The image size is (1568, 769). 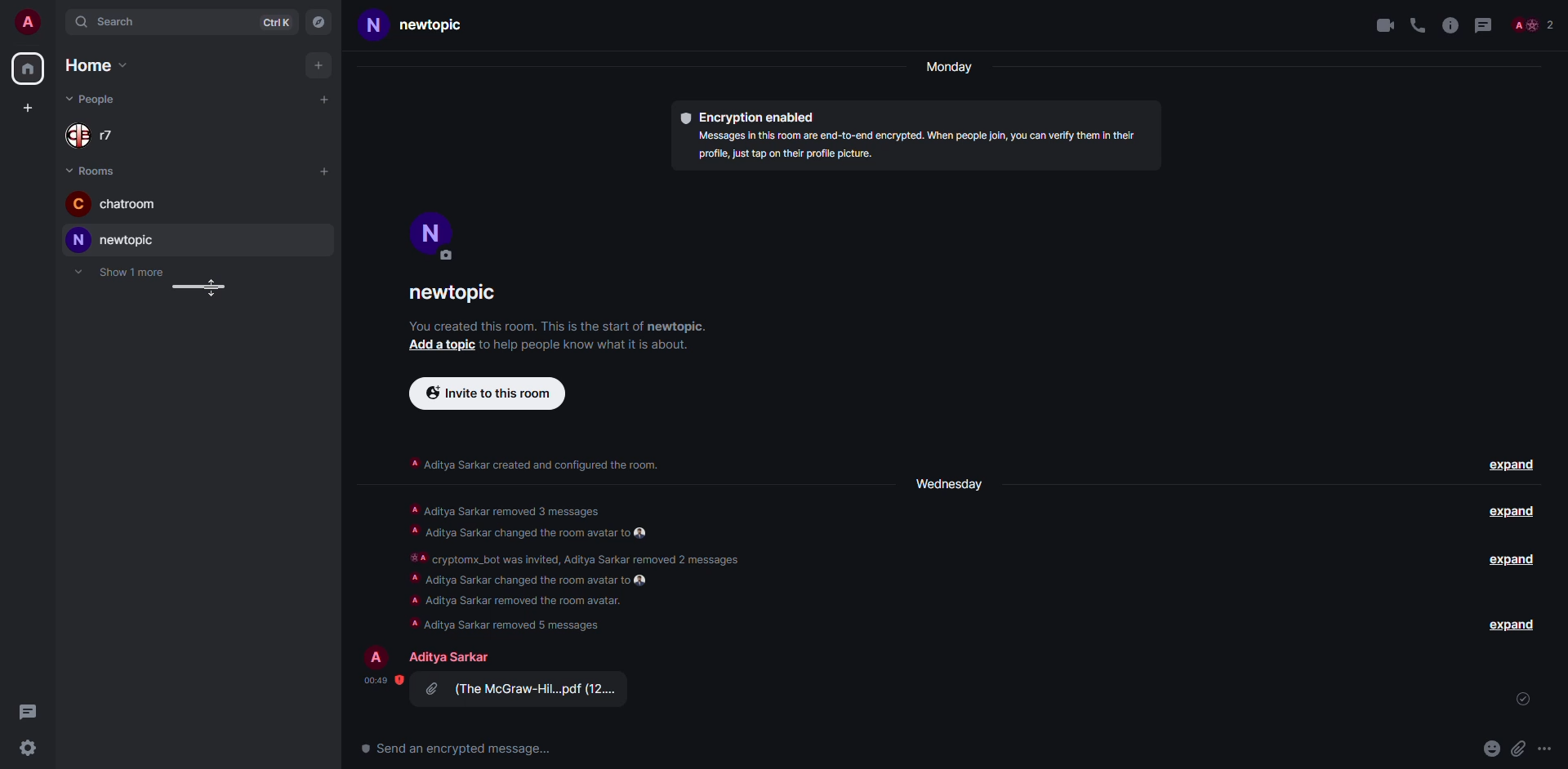 I want to click on Aditya sarkar, so click(x=448, y=657).